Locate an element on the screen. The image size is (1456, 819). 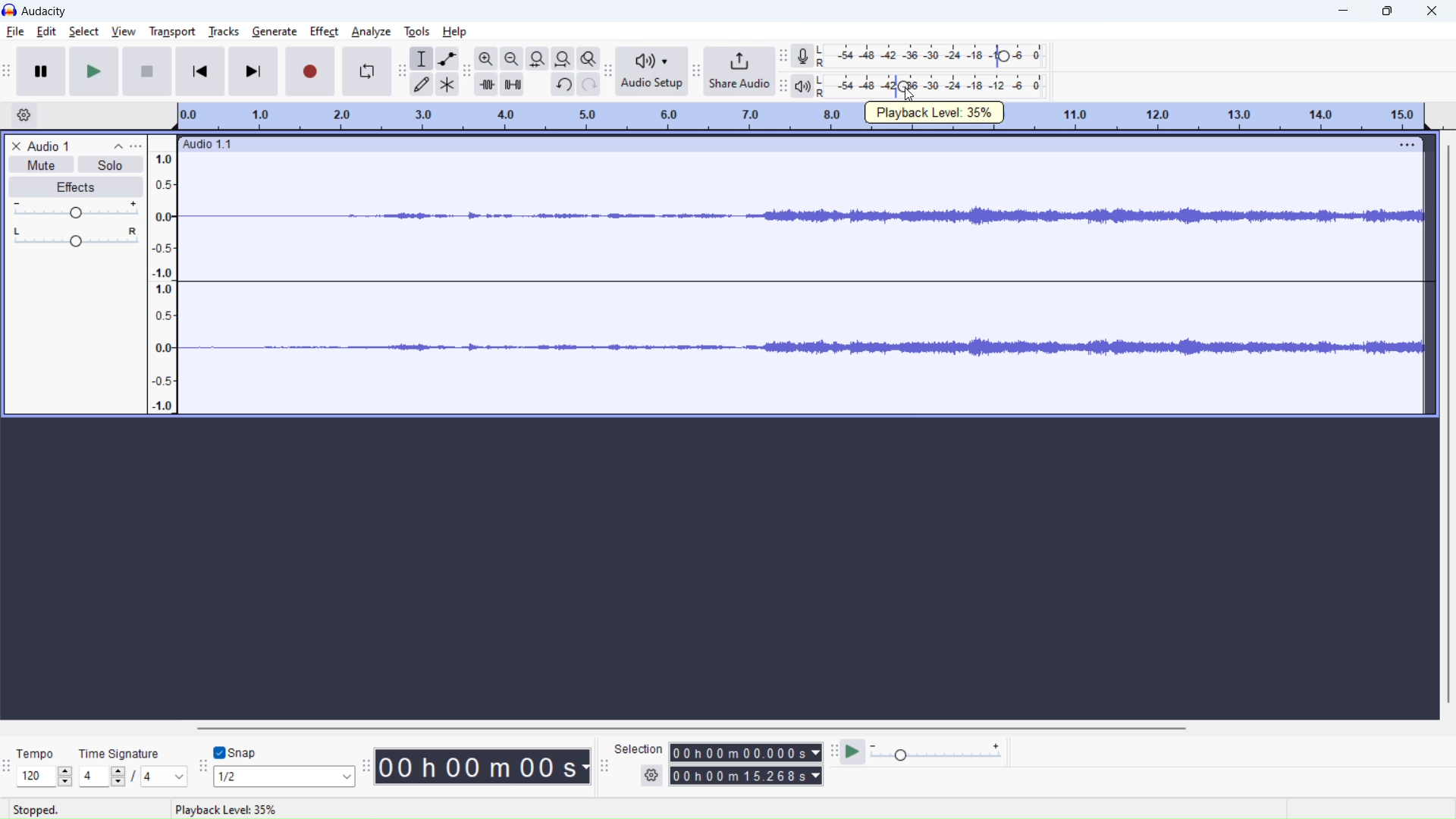
time toolbar is located at coordinates (366, 766).